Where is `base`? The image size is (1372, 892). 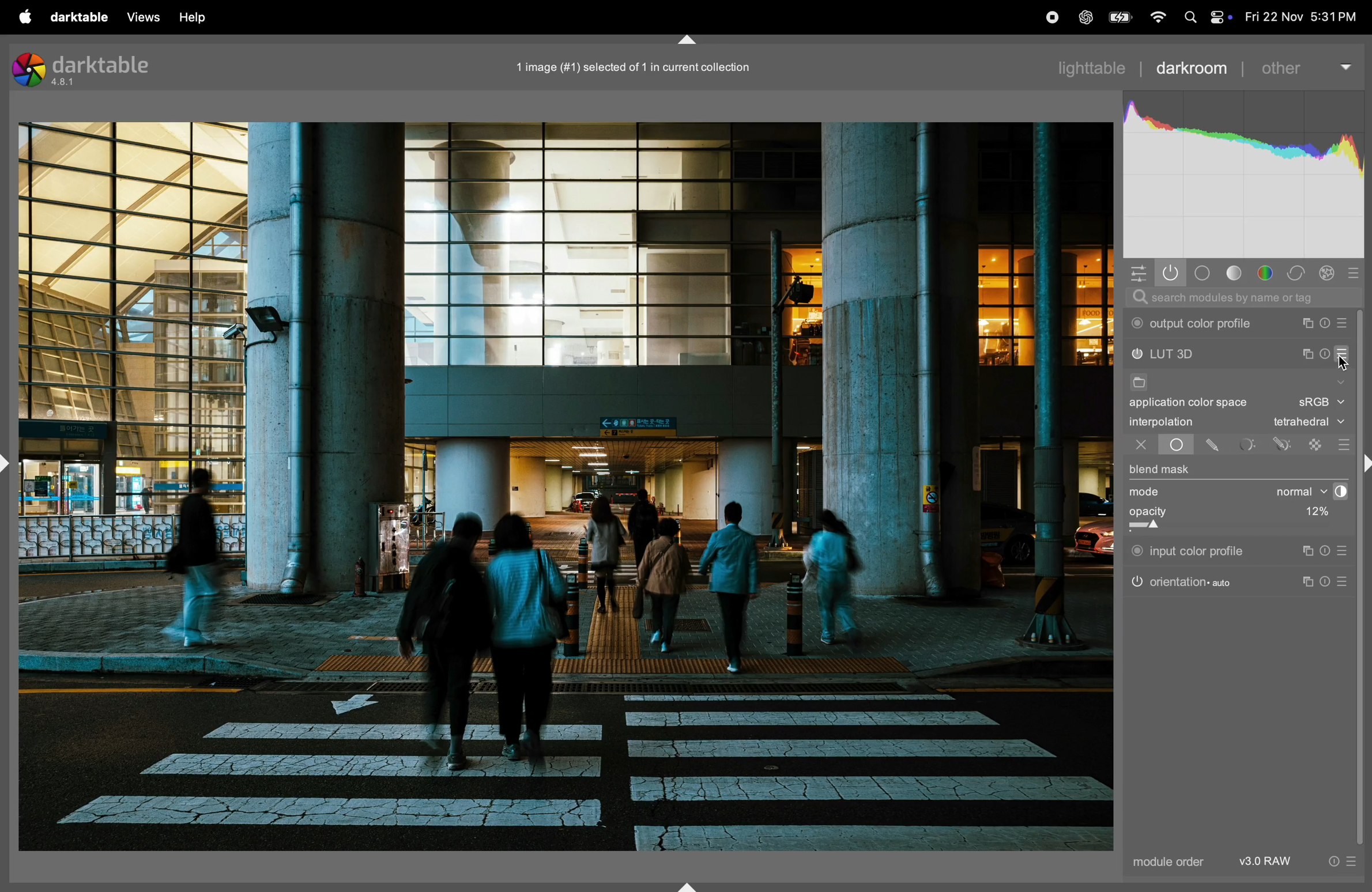 base is located at coordinates (1203, 273).